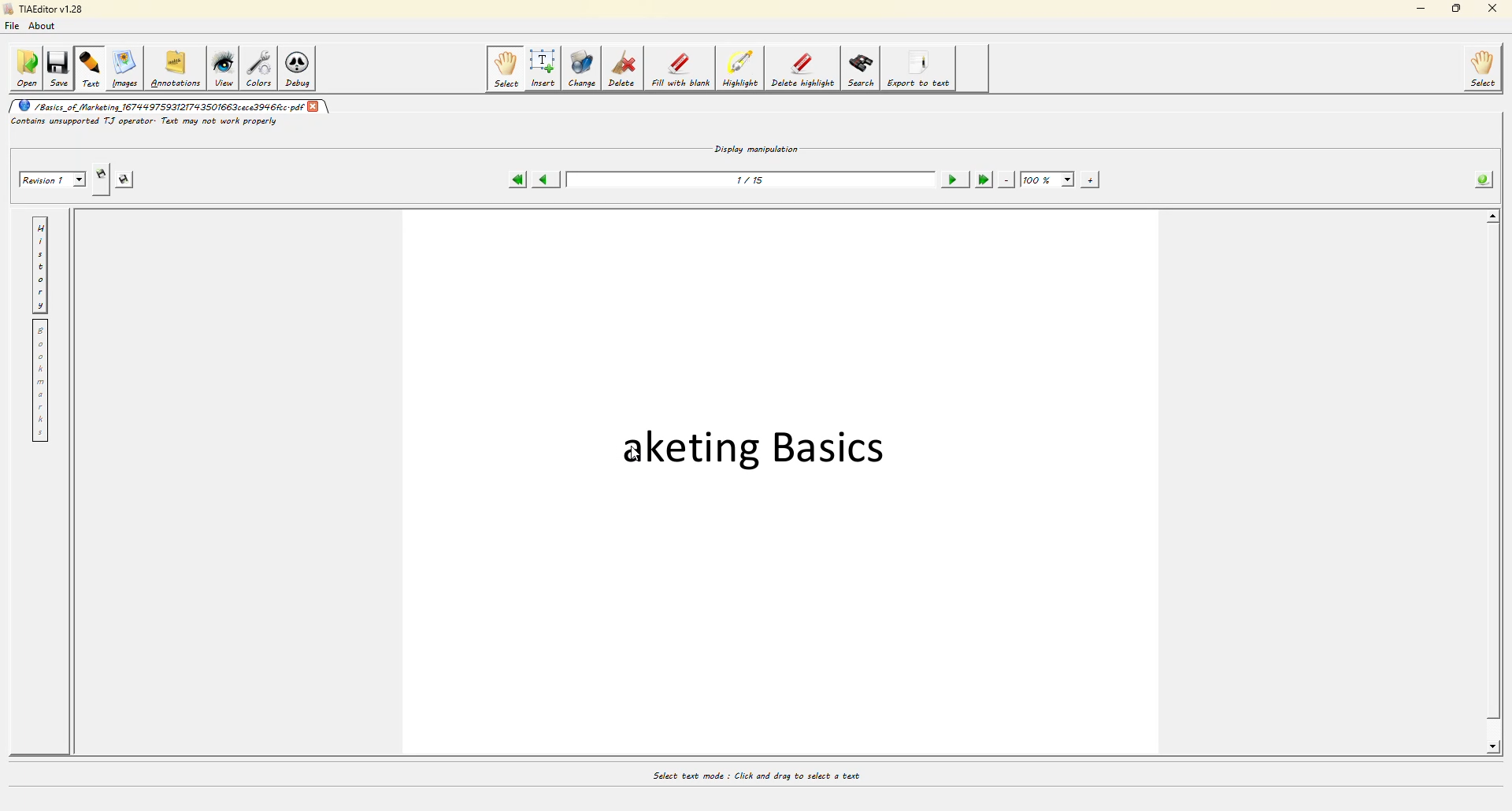  What do you see at coordinates (1492, 473) in the screenshot?
I see `scroll bar` at bounding box center [1492, 473].